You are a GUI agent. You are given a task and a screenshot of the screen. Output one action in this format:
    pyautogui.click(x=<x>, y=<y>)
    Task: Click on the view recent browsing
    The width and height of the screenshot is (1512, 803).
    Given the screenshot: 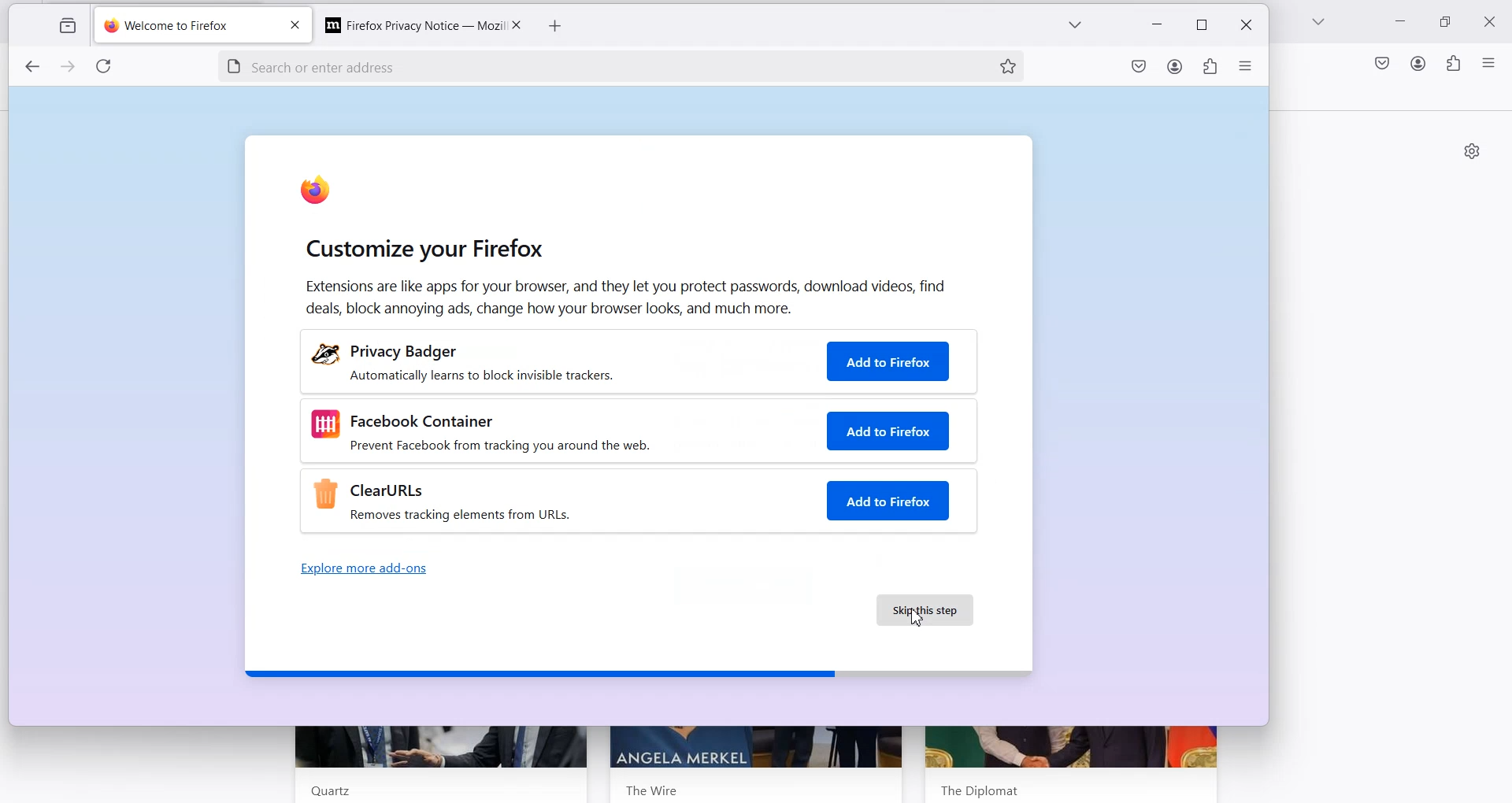 What is the action you would take?
    pyautogui.click(x=65, y=27)
    